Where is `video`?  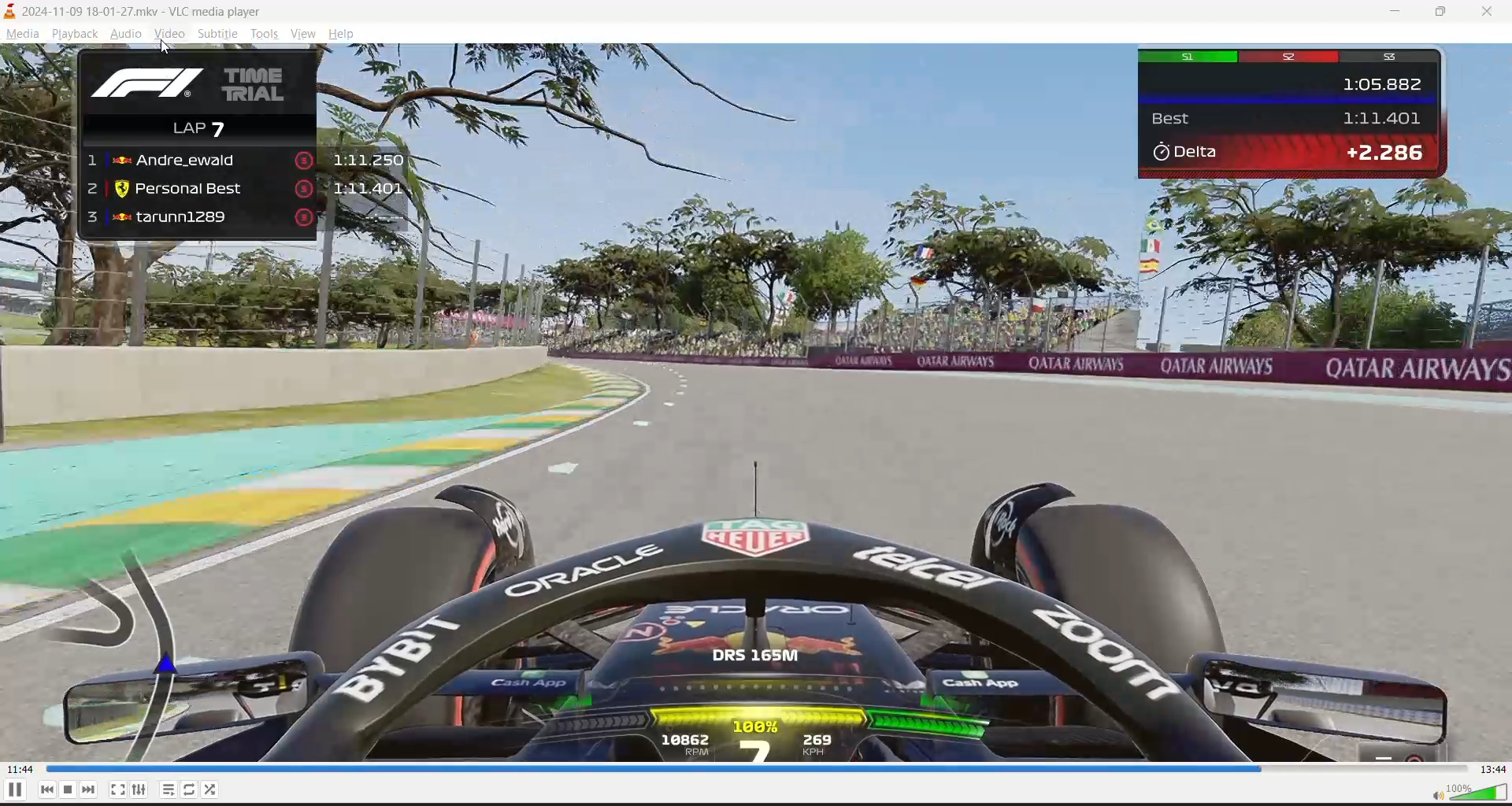
video is located at coordinates (172, 35).